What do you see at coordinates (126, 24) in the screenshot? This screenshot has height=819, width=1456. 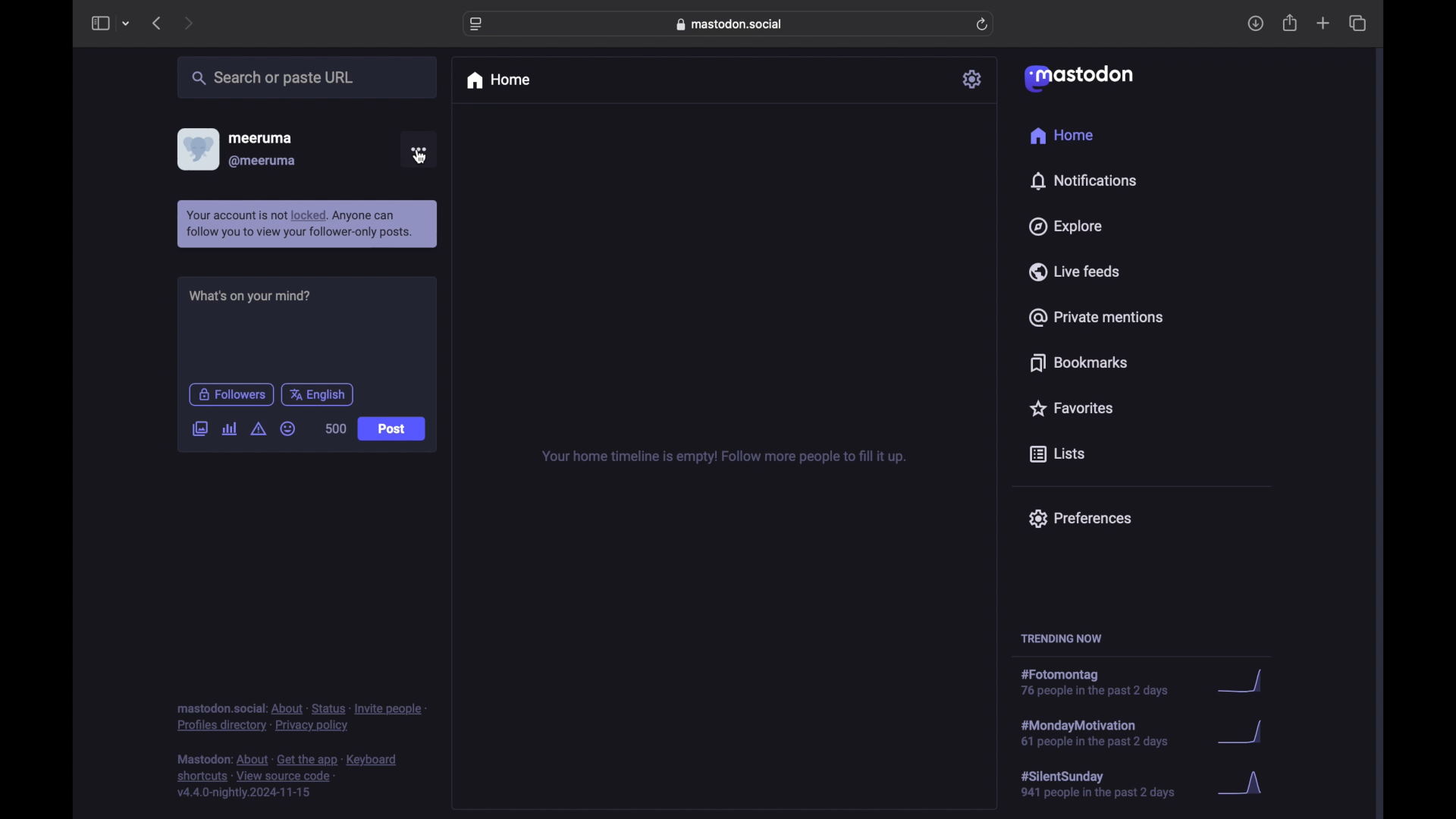 I see `tab group picker` at bounding box center [126, 24].